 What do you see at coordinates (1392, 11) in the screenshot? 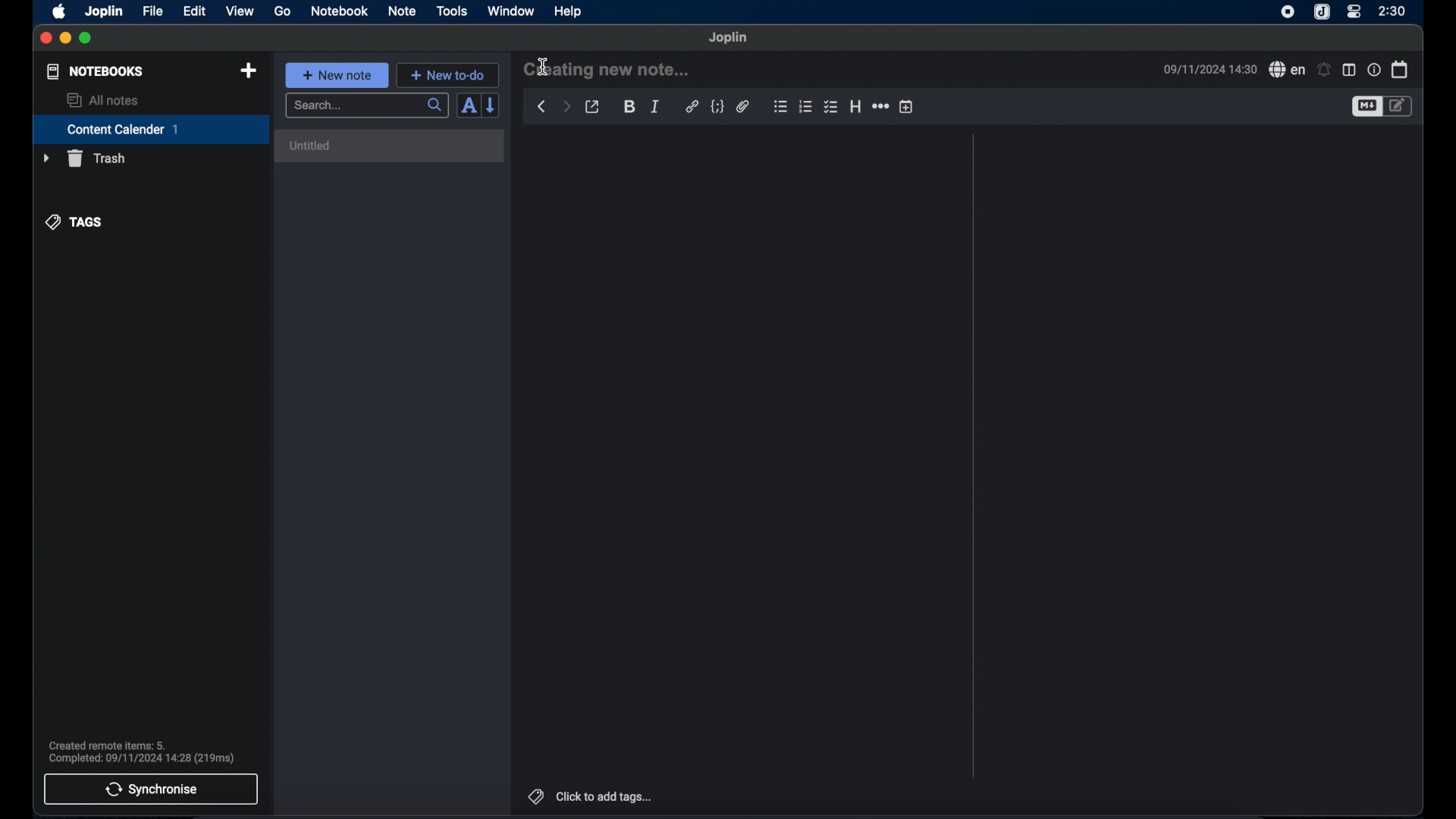
I see `2:30(time)` at bounding box center [1392, 11].